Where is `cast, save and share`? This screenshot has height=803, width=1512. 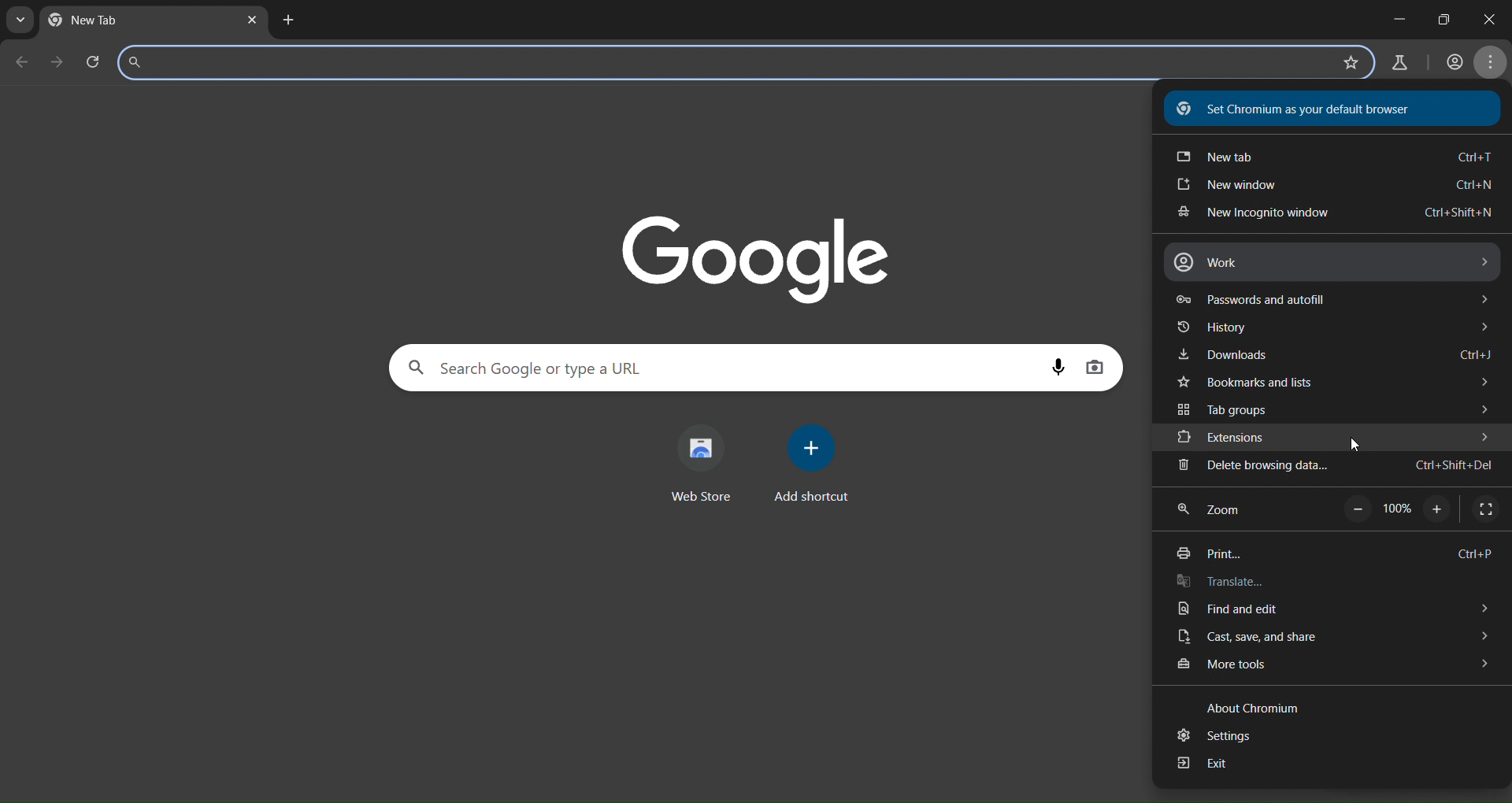
cast, save and share is located at coordinates (1332, 637).